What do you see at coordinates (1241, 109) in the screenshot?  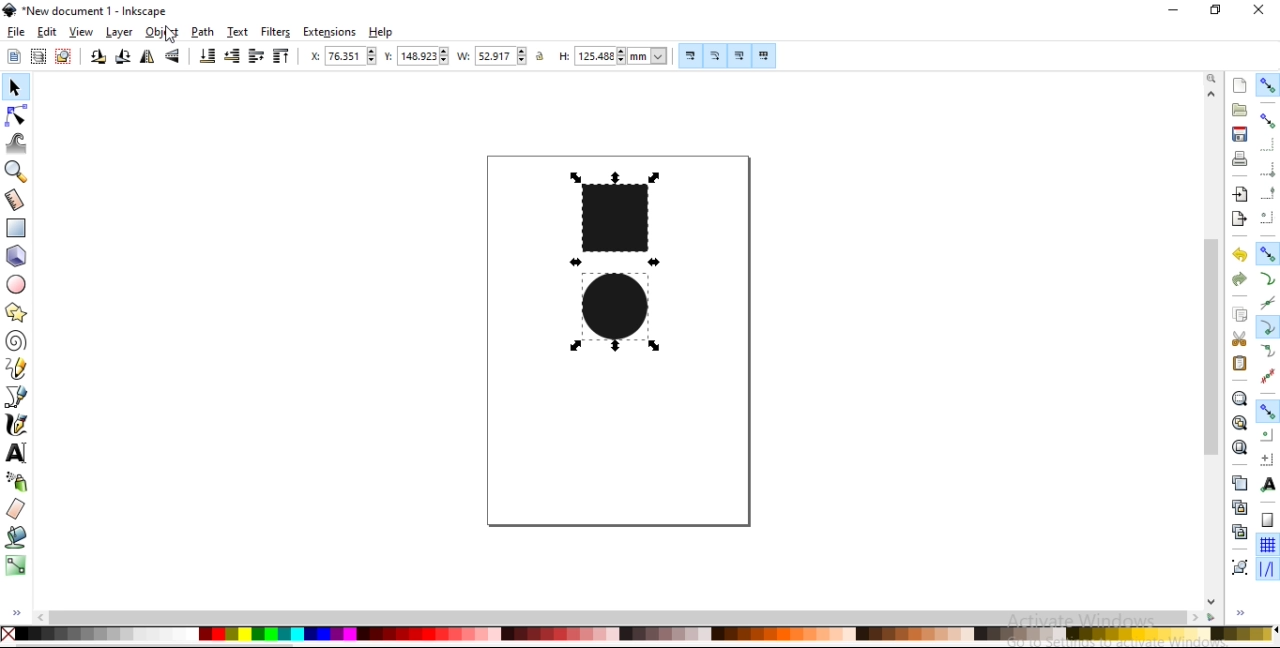 I see `open a existing document` at bounding box center [1241, 109].